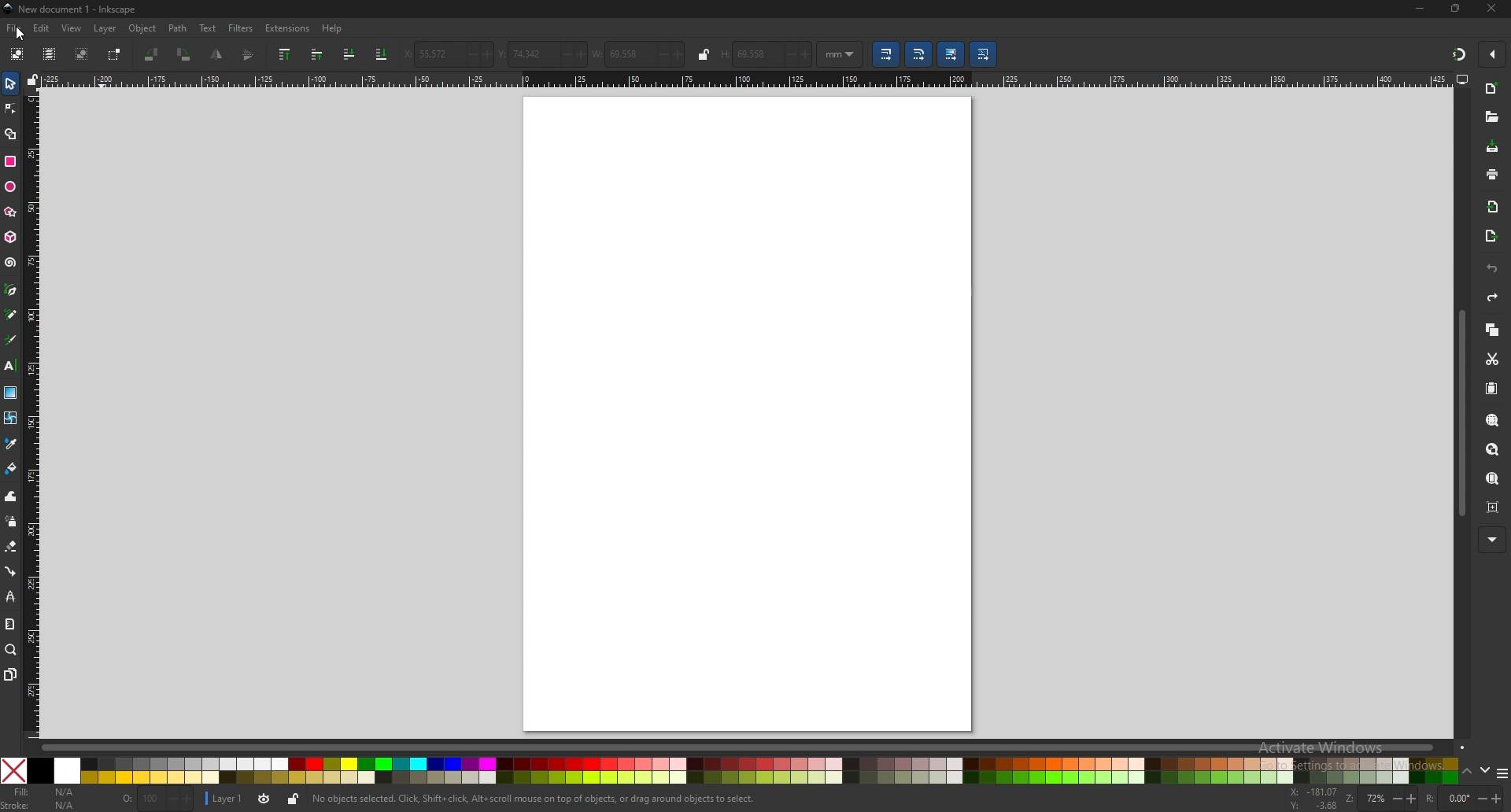  I want to click on gradient, so click(10, 391).